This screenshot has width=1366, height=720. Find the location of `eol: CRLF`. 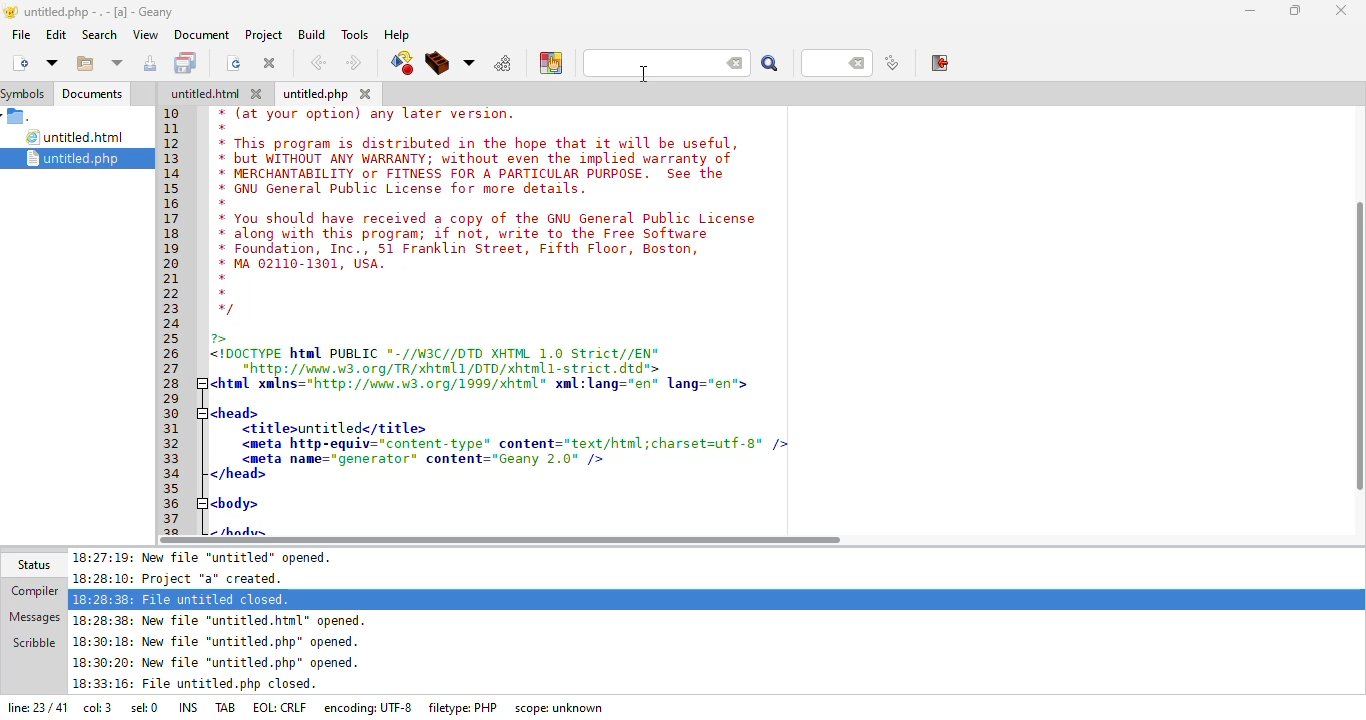

eol: CRLF is located at coordinates (282, 708).